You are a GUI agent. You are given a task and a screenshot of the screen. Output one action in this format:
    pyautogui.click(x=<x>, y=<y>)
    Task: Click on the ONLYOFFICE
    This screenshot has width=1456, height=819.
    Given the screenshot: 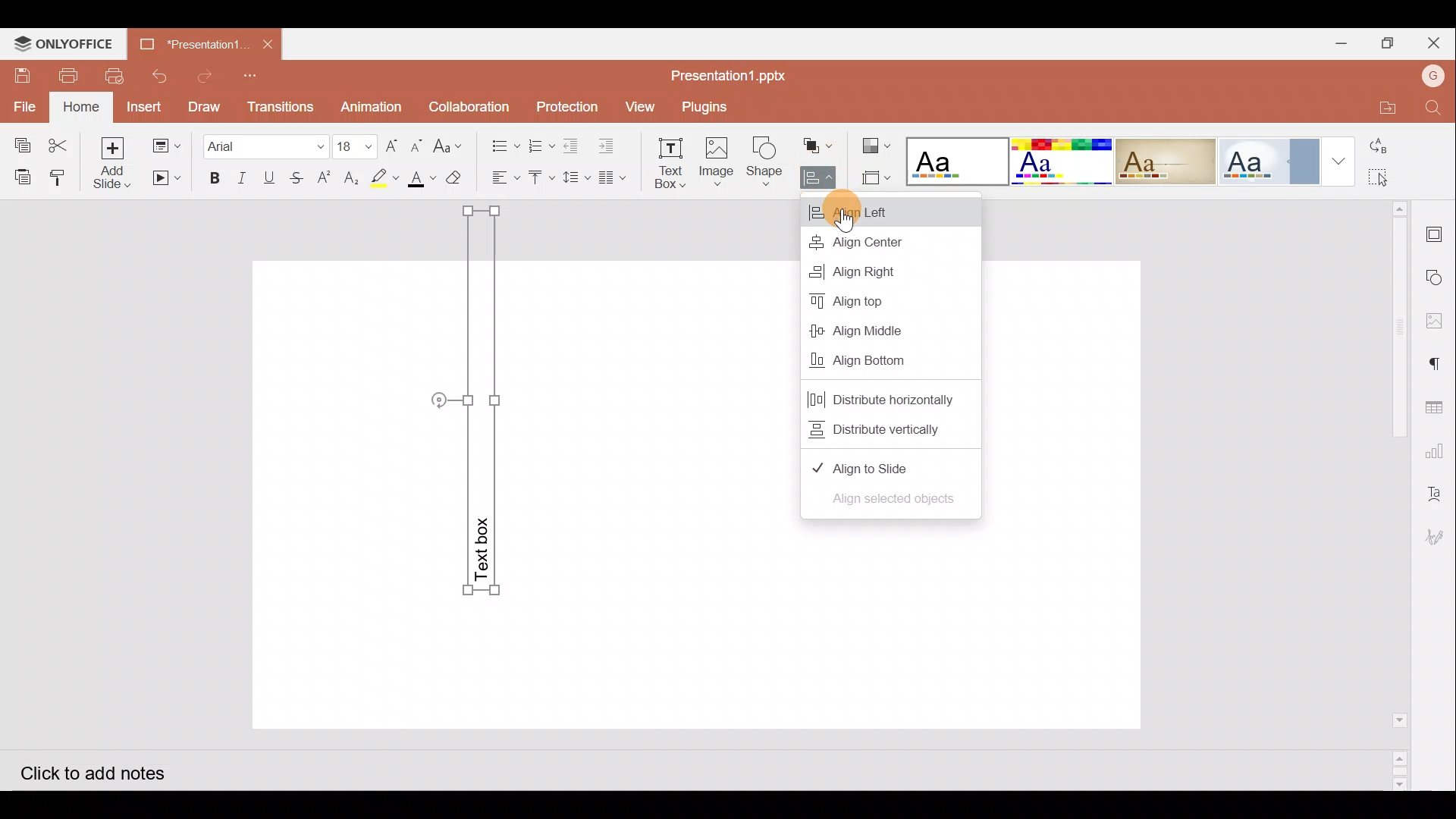 What is the action you would take?
    pyautogui.click(x=61, y=43)
    